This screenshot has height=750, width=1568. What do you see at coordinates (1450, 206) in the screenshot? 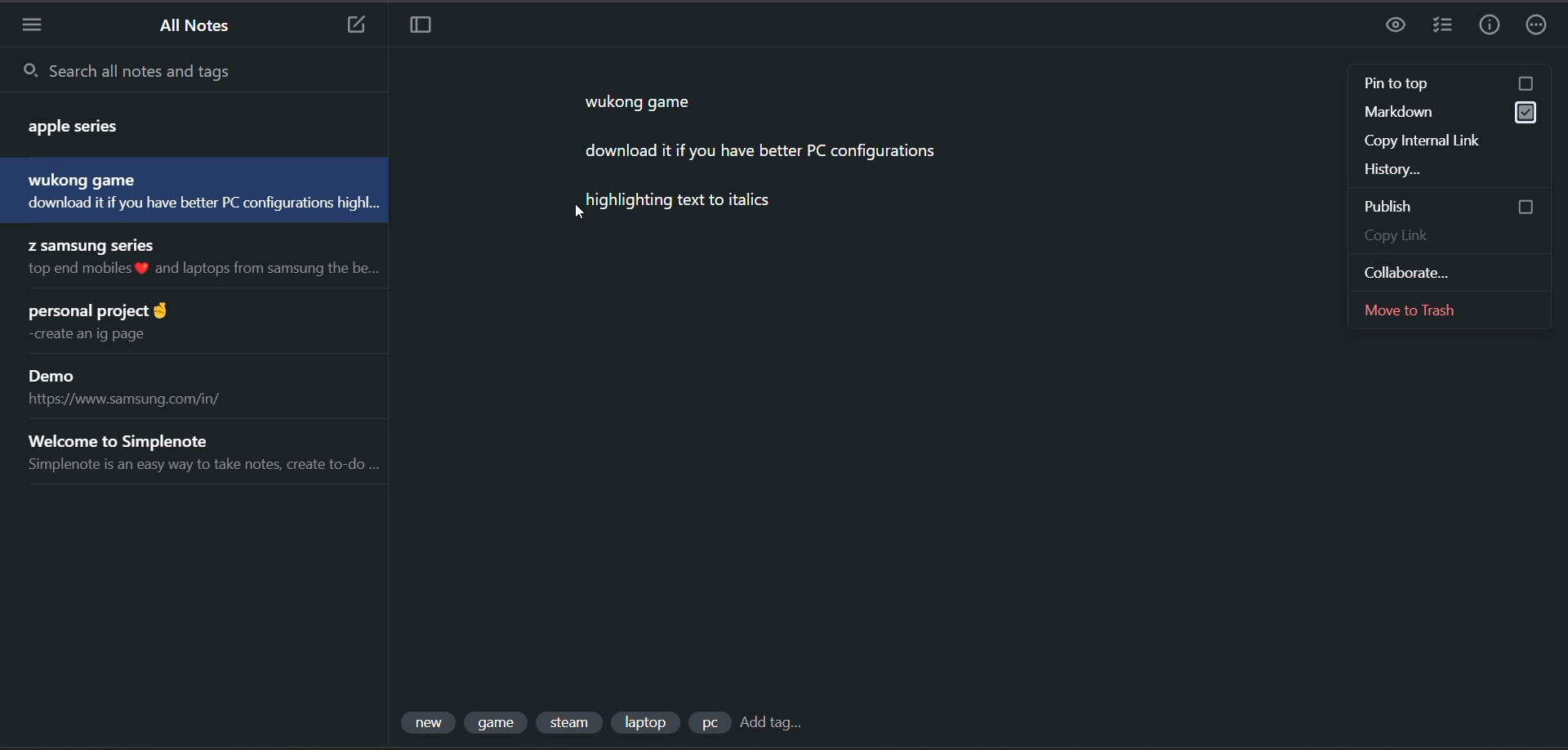
I see `publish` at bounding box center [1450, 206].